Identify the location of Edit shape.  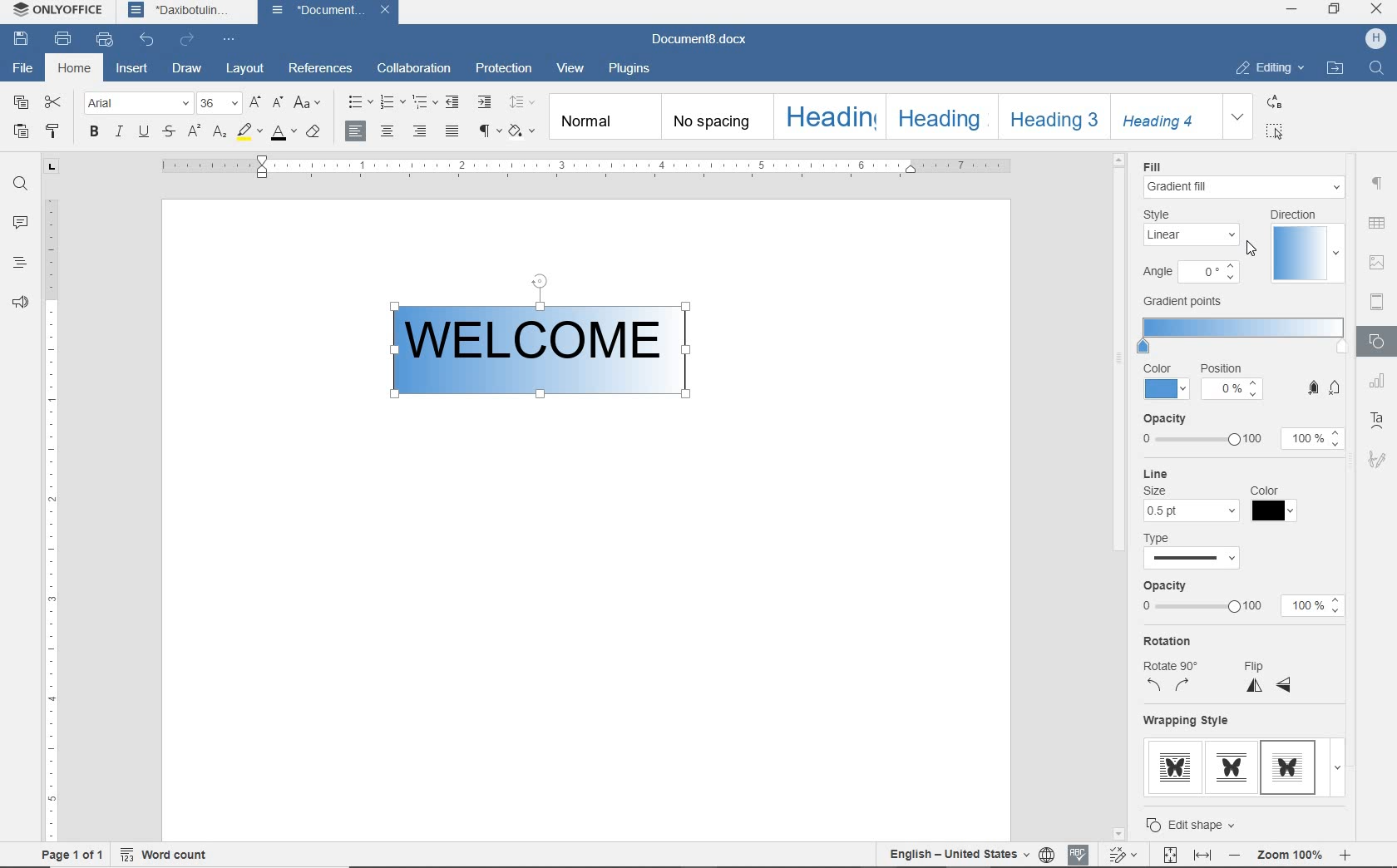
(1197, 822).